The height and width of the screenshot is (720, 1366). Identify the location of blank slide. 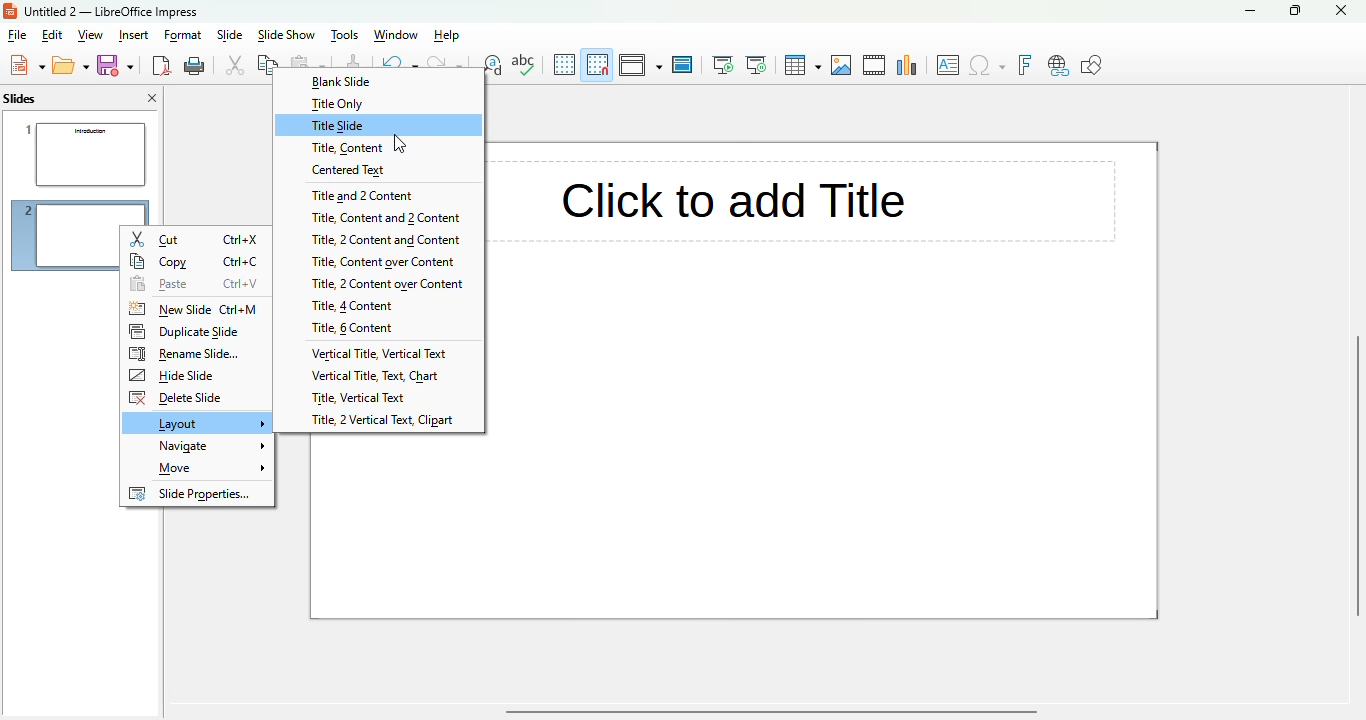
(381, 82).